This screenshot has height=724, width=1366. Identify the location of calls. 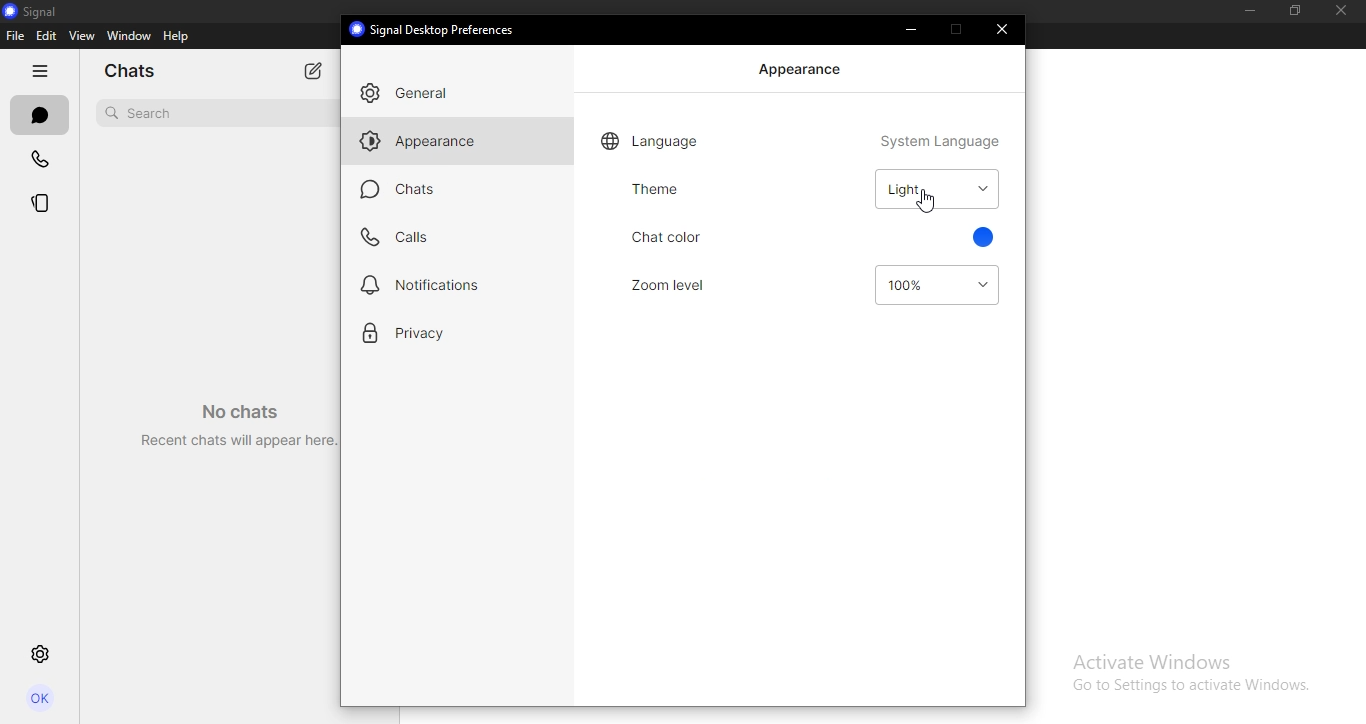
(401, 237).